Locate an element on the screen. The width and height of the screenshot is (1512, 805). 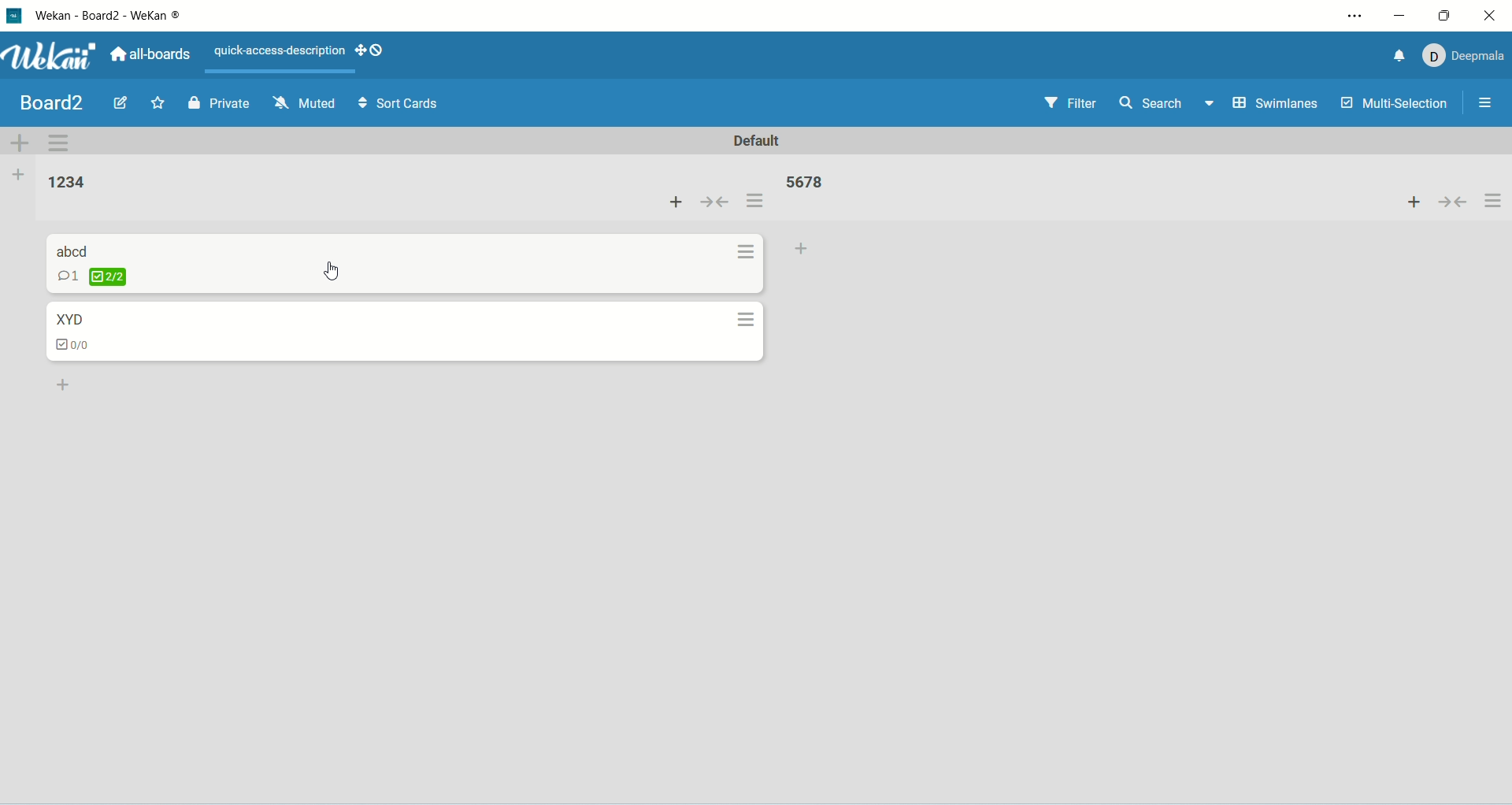
board title is located at coordinates (48, 102).